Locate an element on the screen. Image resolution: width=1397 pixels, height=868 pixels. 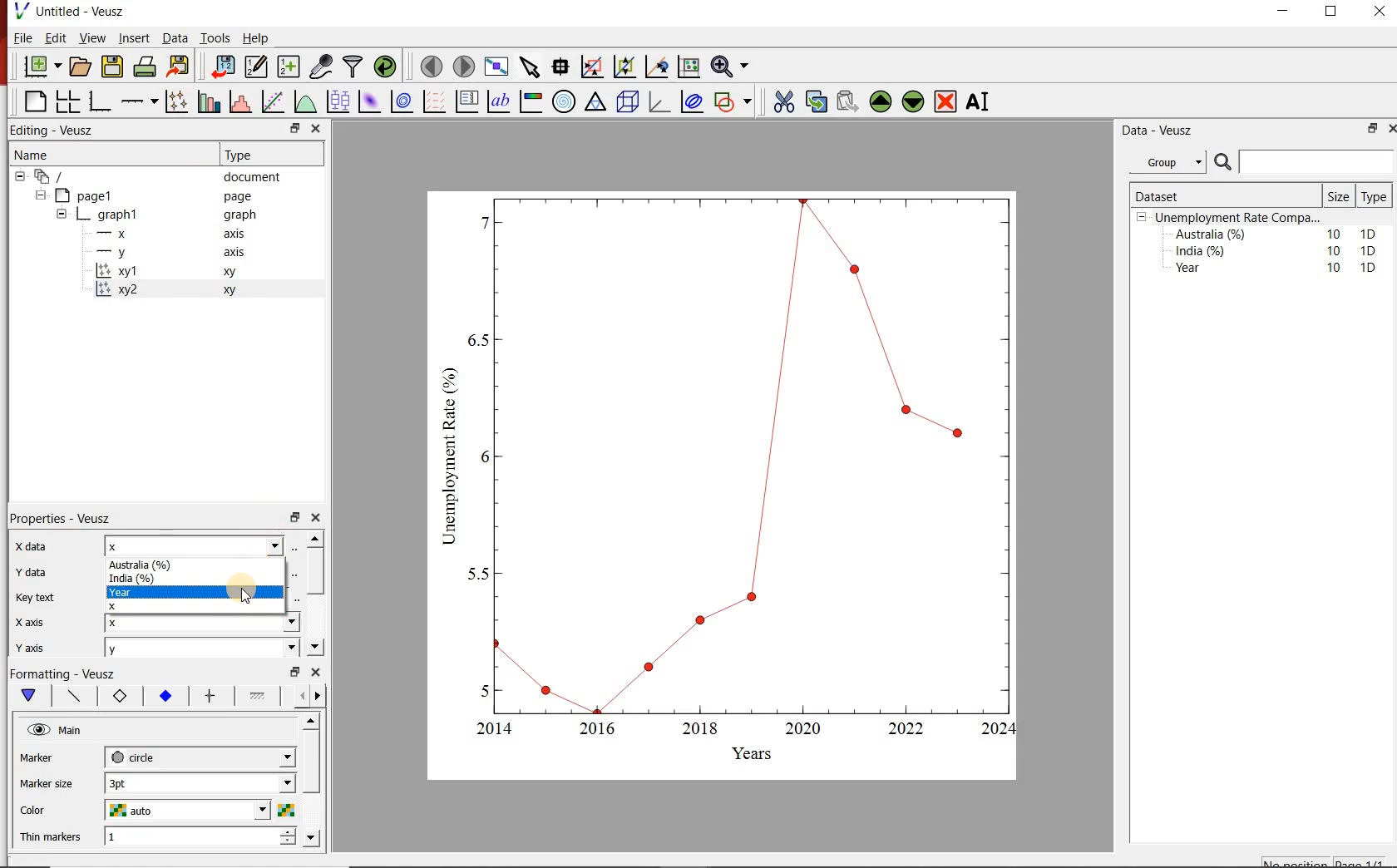
filter data is located at coordinates (352, 67).